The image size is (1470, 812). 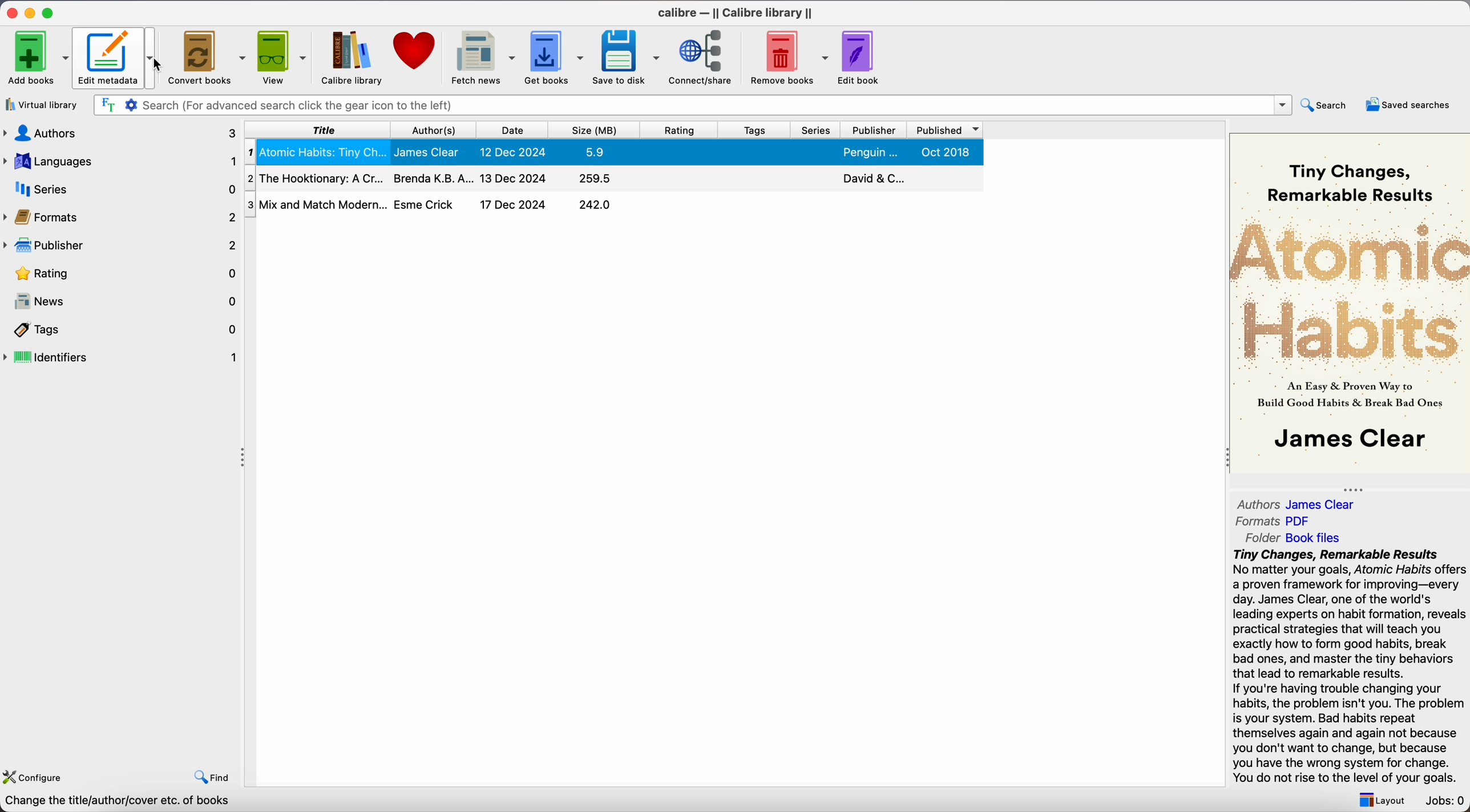 I want to click on 259.5, so click(x=597, y=179).